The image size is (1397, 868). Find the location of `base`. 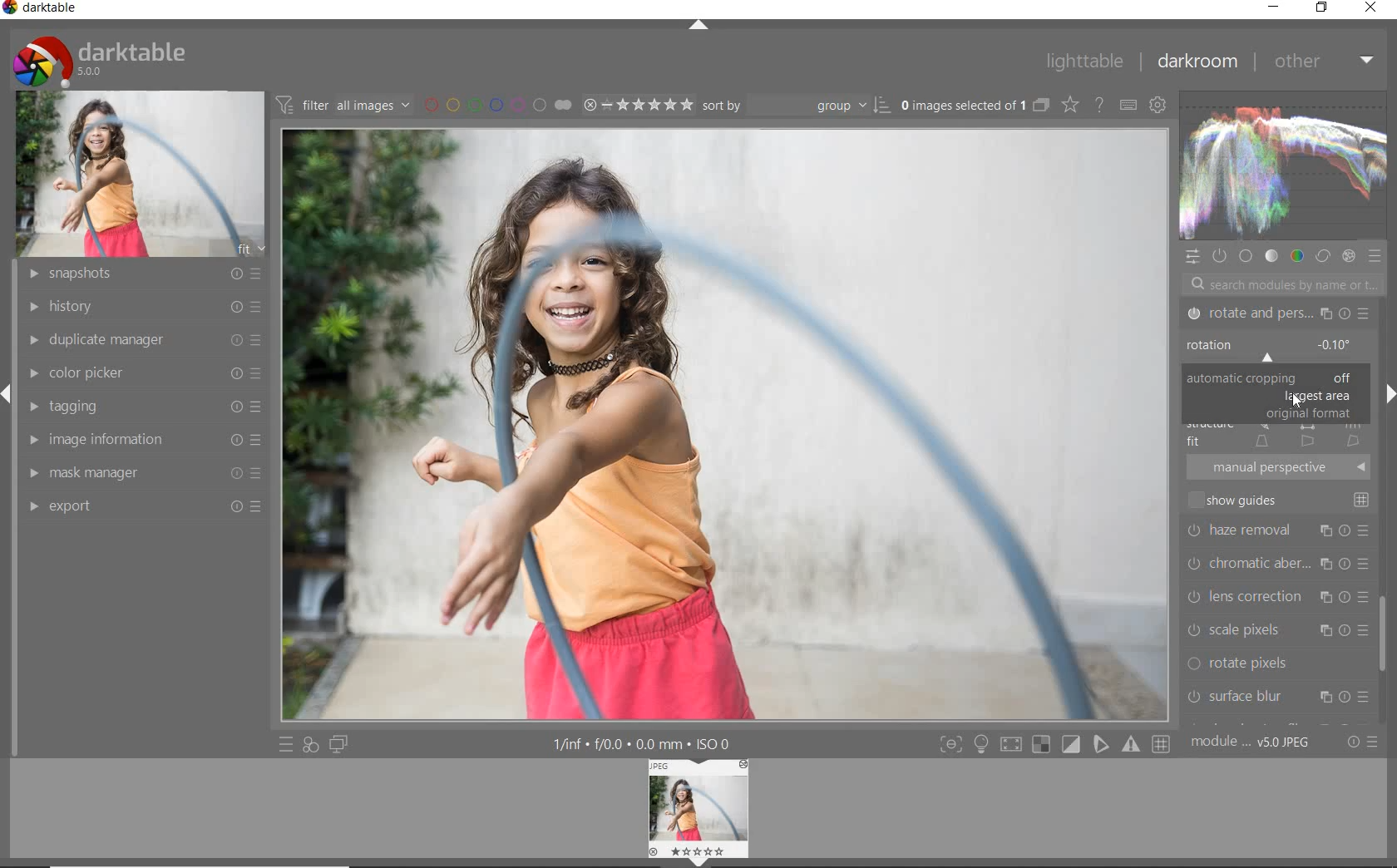

base is located at coordinates (1246, 257).